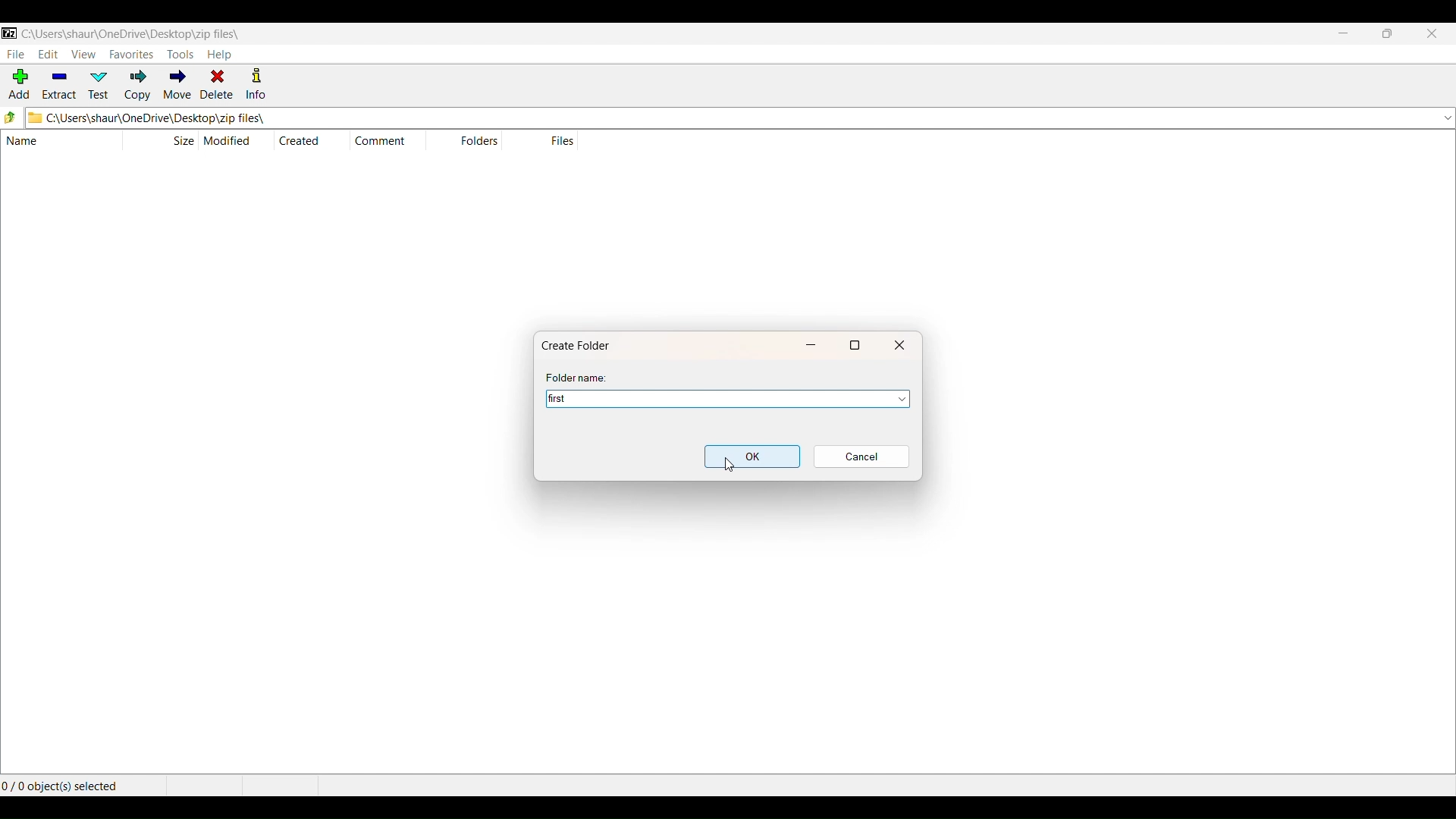 This screenshot has height=819, width=1456. What do you see at coordinates (14, 54) in the screenshot?
I see `FILE` at bounding box center [14, 54].